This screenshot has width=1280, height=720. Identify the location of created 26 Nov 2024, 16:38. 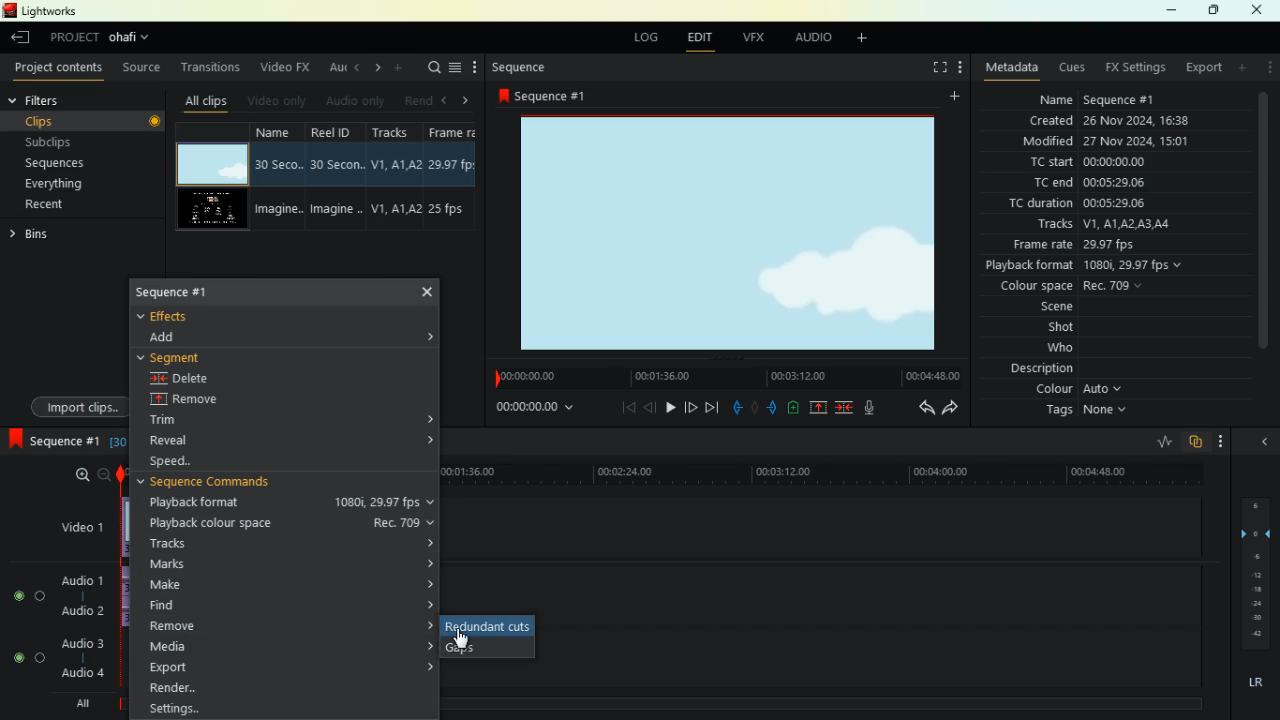
(1118, 119).